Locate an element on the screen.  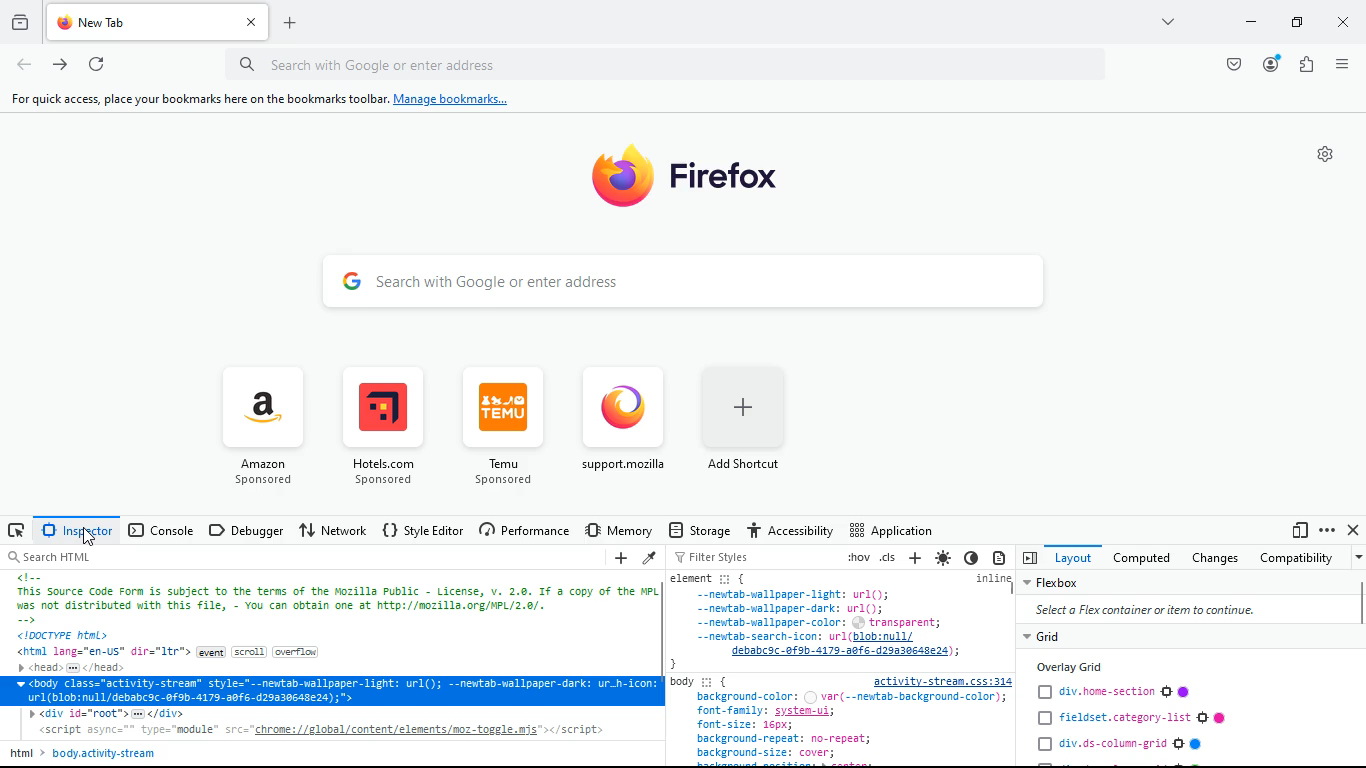
screen is located at coordinates (16, 530).